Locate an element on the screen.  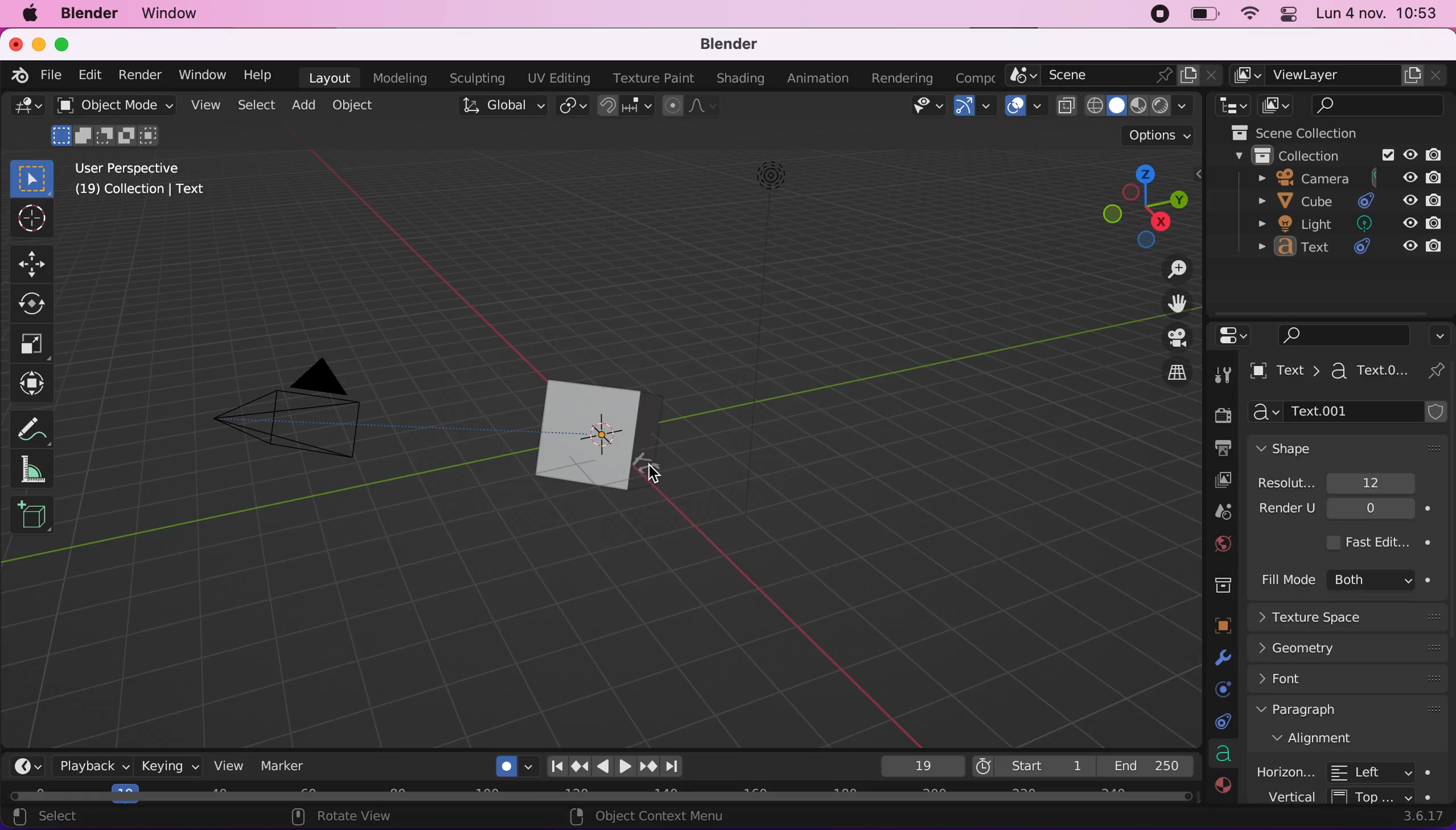
render is located at coordinates (141, 75).